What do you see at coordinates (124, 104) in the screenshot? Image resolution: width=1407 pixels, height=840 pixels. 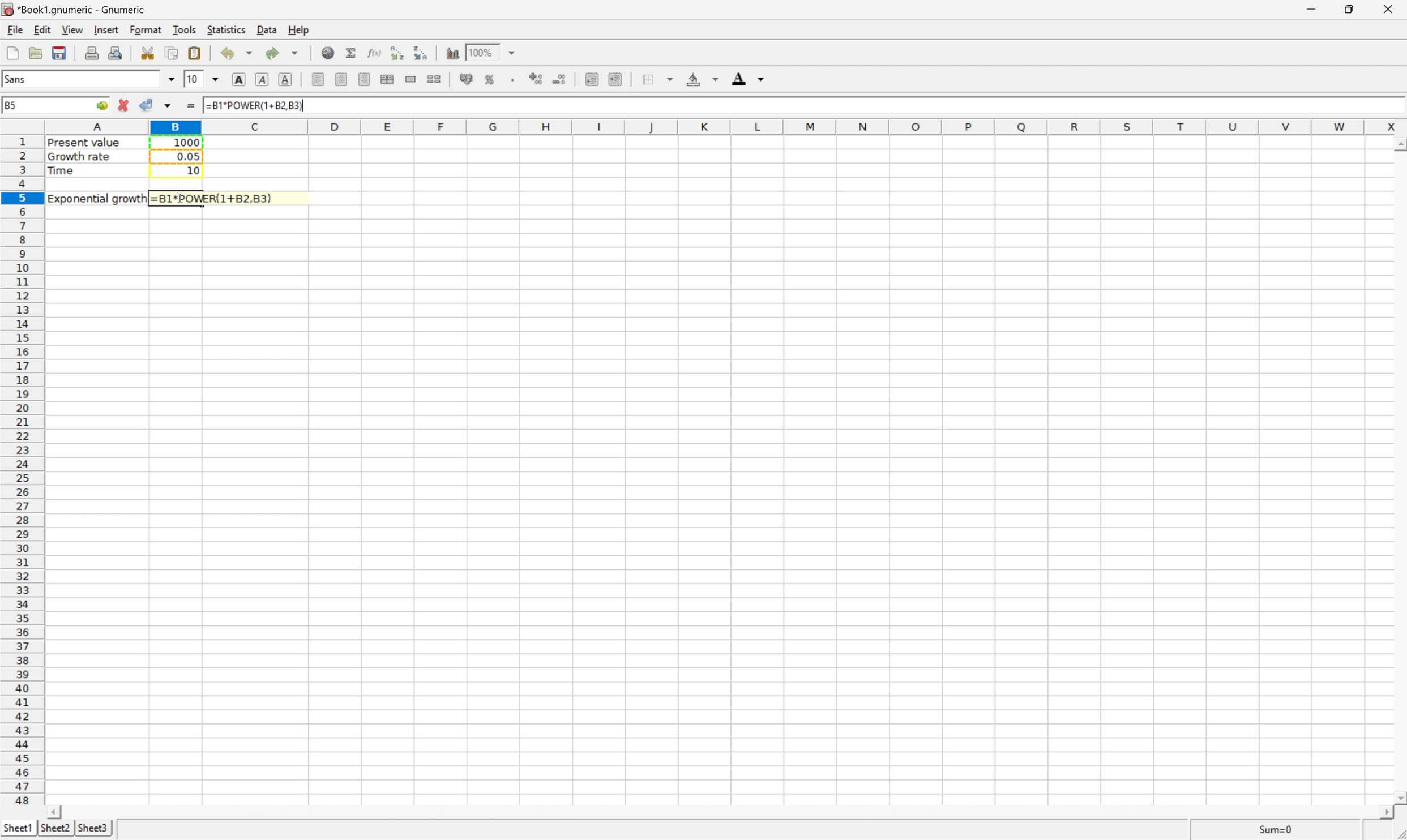 I see `Cancel changes` at bounding box center [124, 104].